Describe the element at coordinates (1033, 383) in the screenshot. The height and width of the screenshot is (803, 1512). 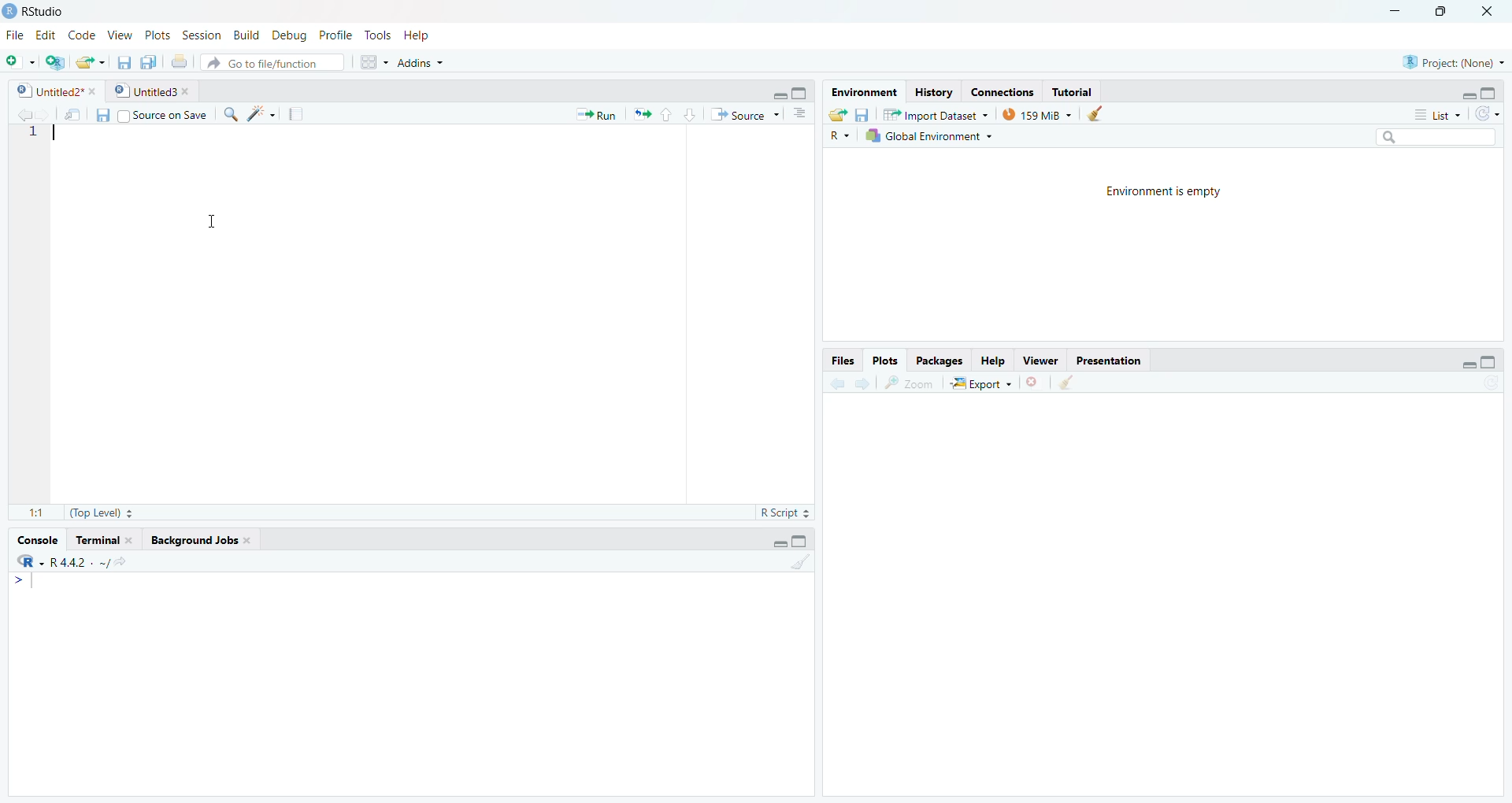
I see `Delete` at that location.